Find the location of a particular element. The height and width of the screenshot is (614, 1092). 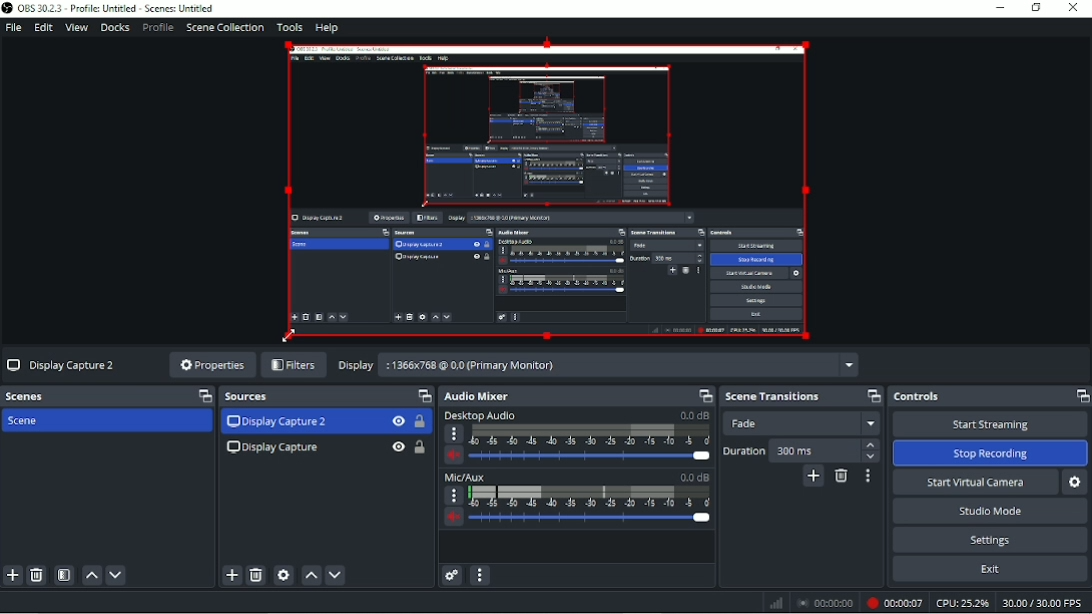

Open scene filters is located at coordinates (65, 575).